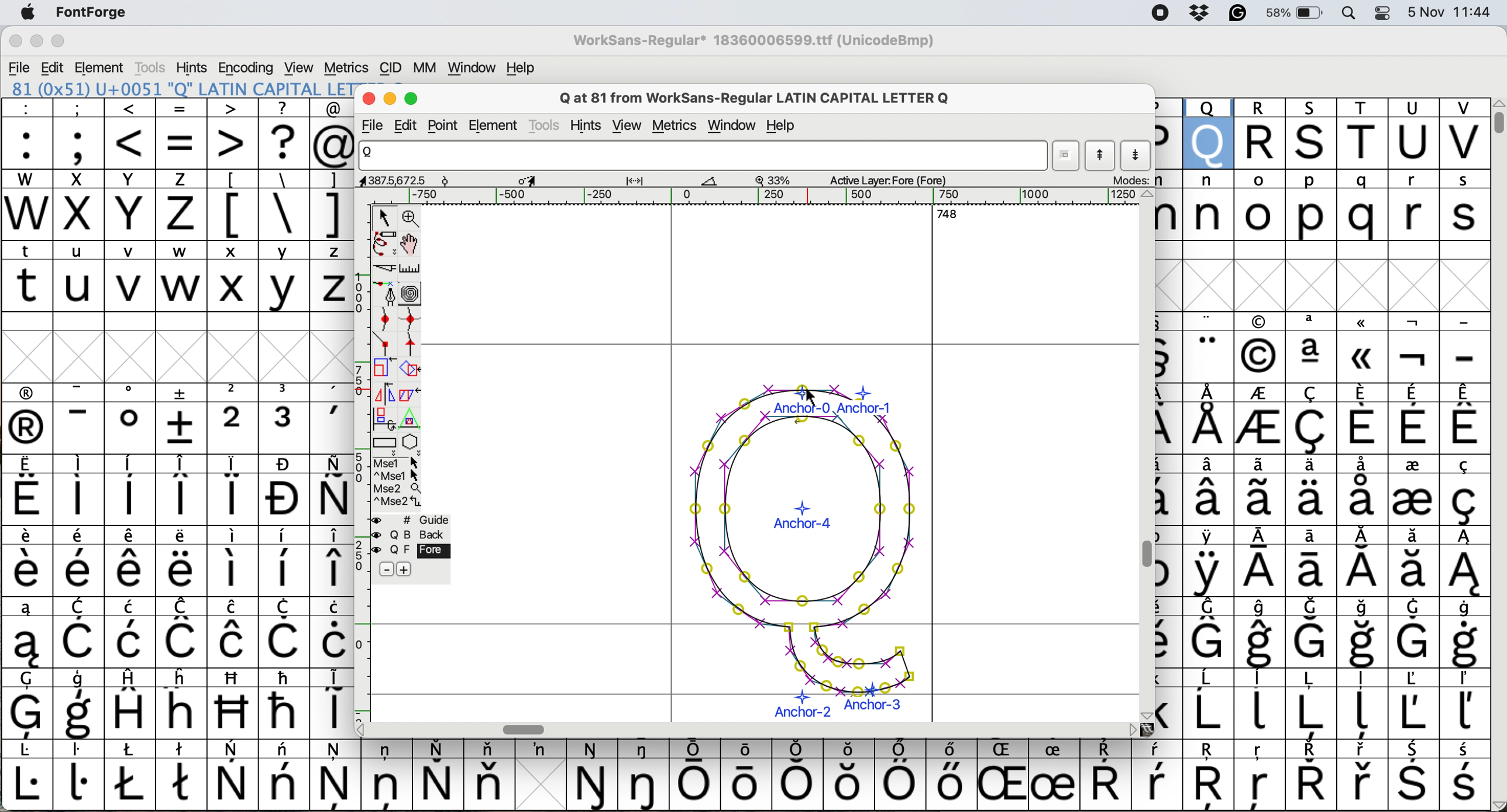  What do you see at coordinates (283, 214) in the screenshot?
I see `special characters` at bounding box center [283, 214].